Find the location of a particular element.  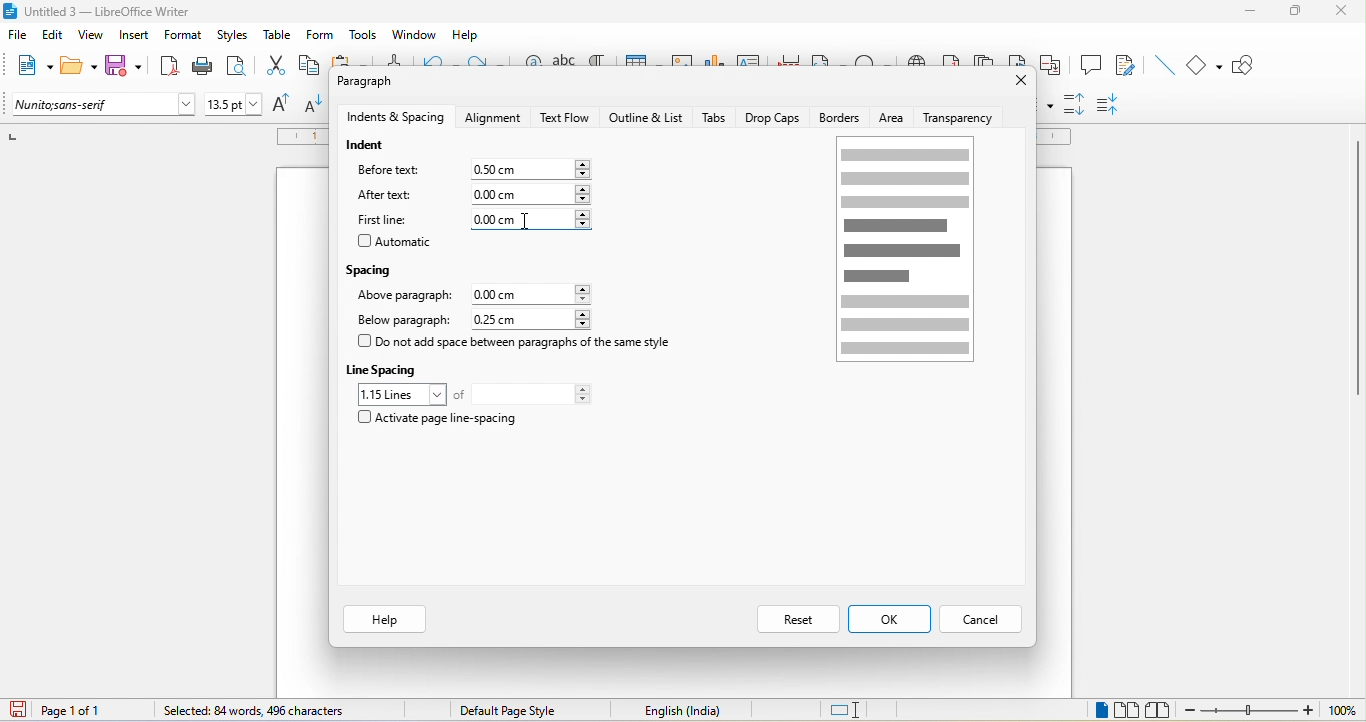

cancel is located at coordinates (981, 619).